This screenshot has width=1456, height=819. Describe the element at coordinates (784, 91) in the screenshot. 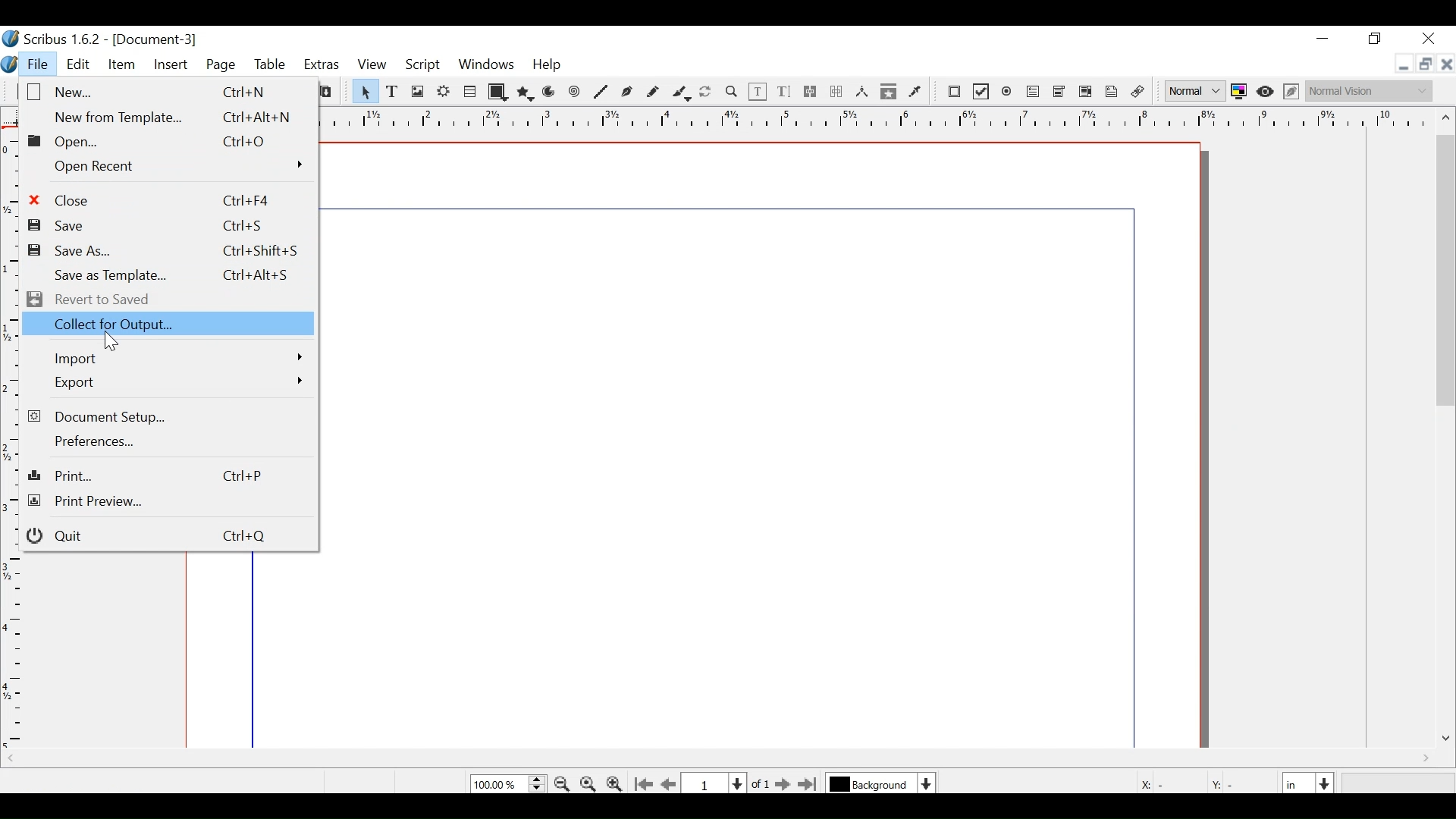

I see `Edit Text with story editor` at that location.